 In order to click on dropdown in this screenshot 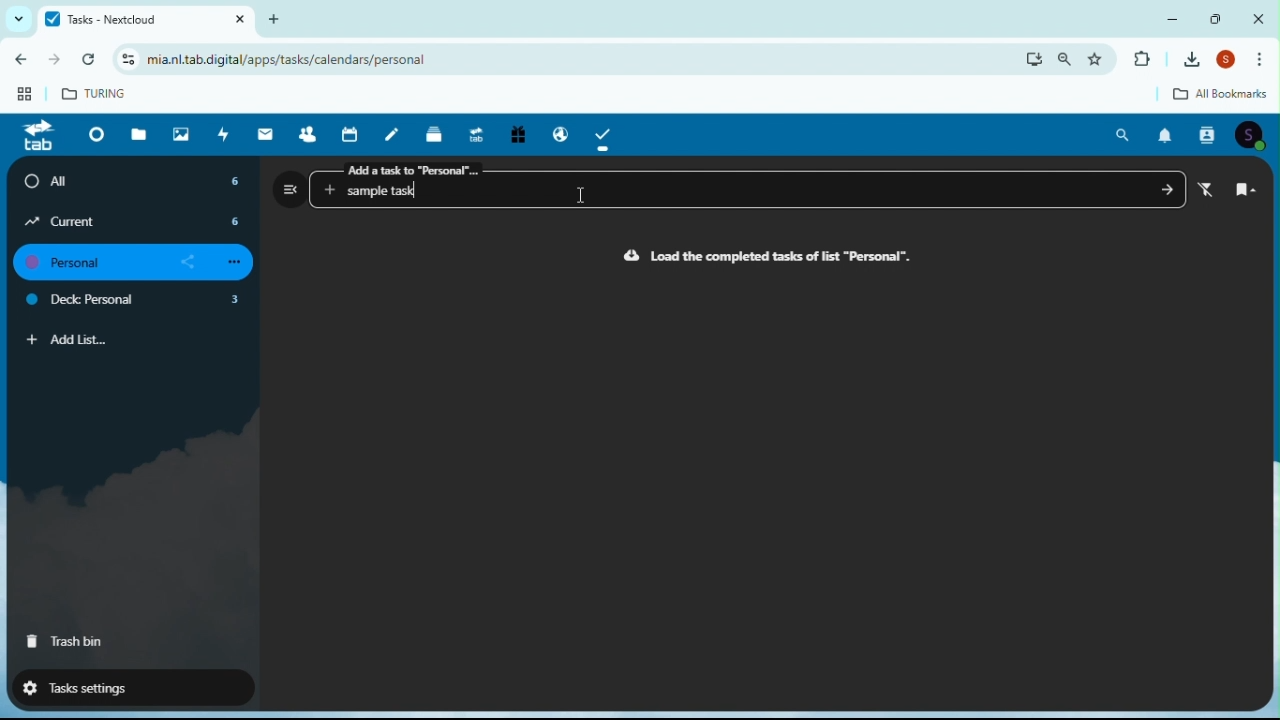, I will do `click(15, 19)`.